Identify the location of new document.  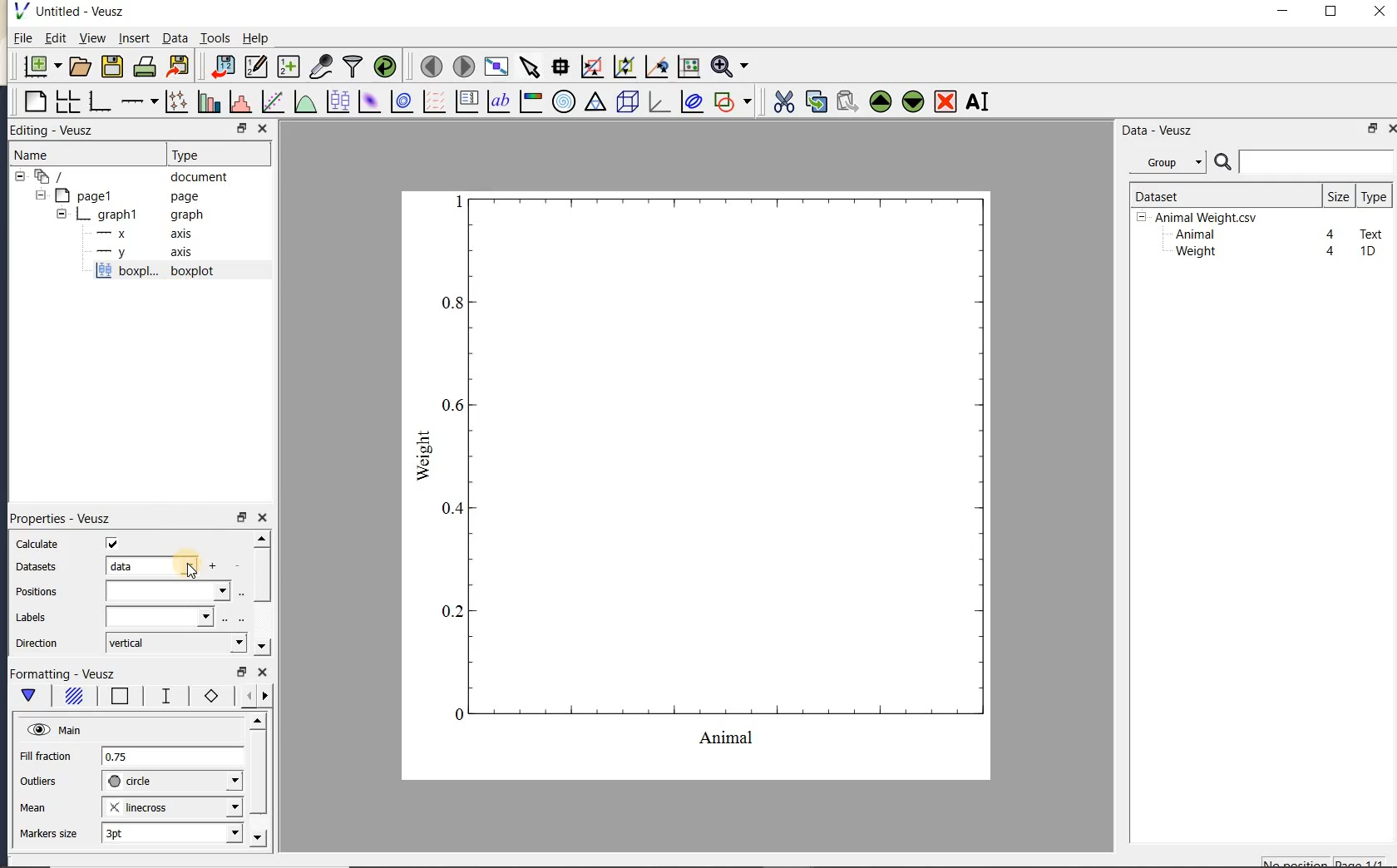
(38, 67).